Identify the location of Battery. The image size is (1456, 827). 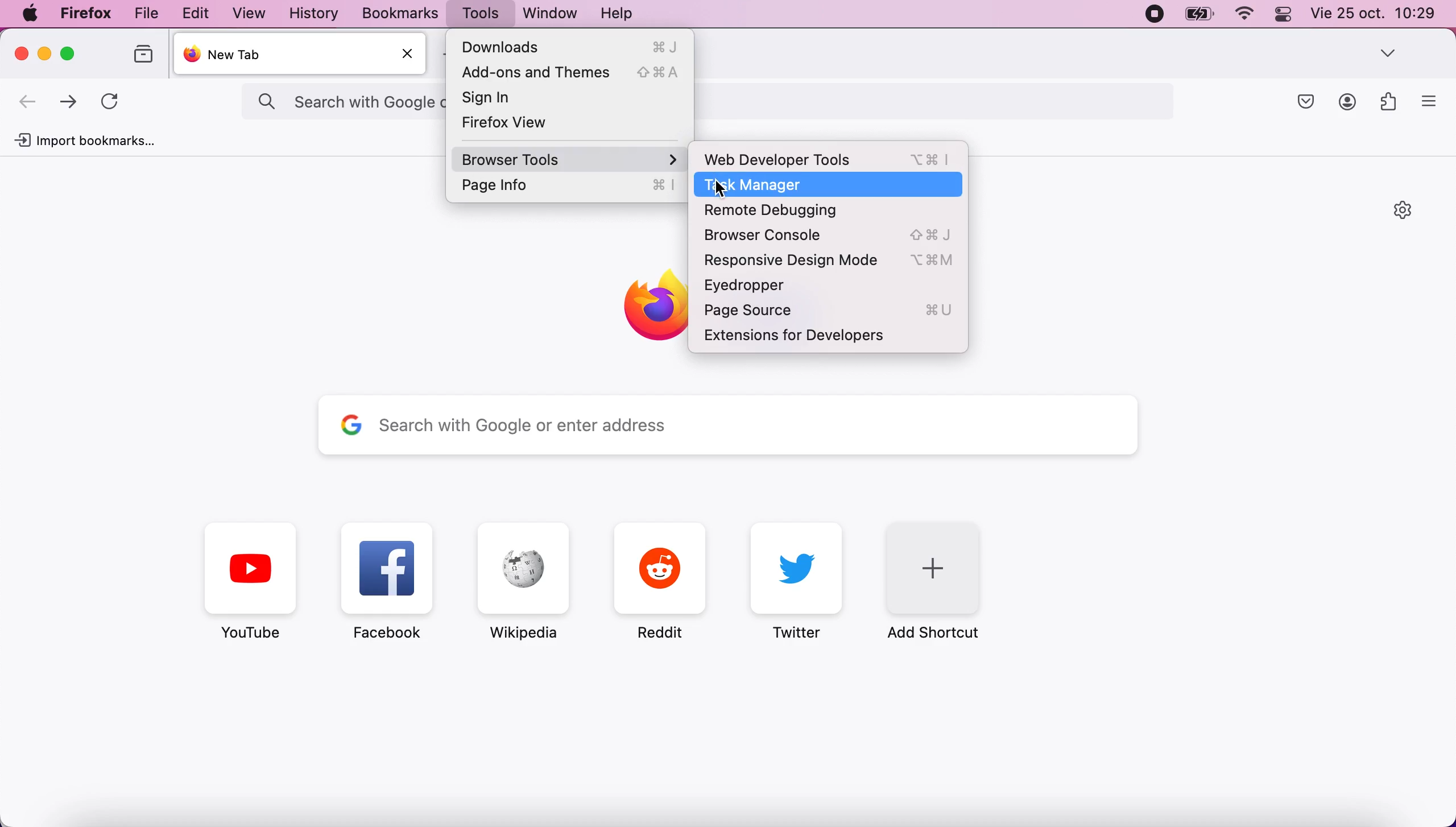
(1199, 14).